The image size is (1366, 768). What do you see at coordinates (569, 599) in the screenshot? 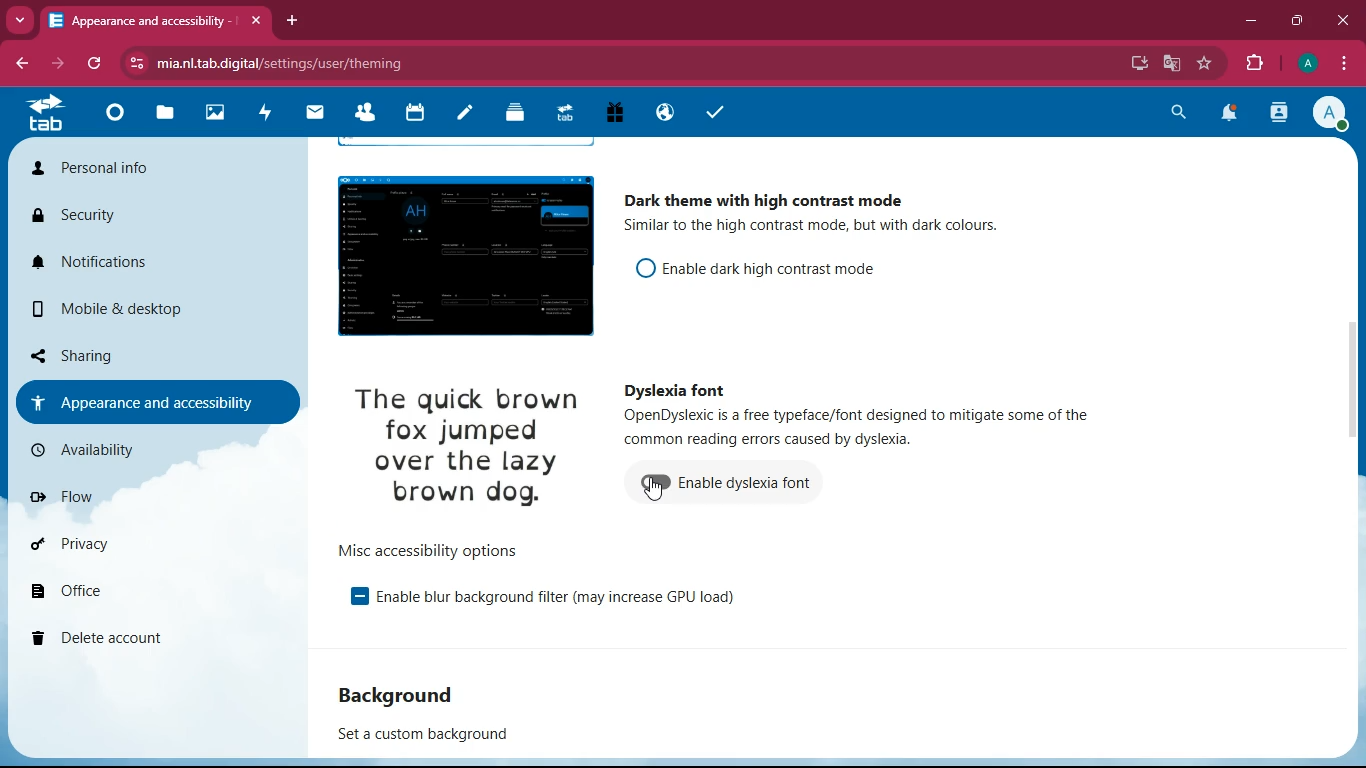
I see `enable` at bounding box center [569, 599].